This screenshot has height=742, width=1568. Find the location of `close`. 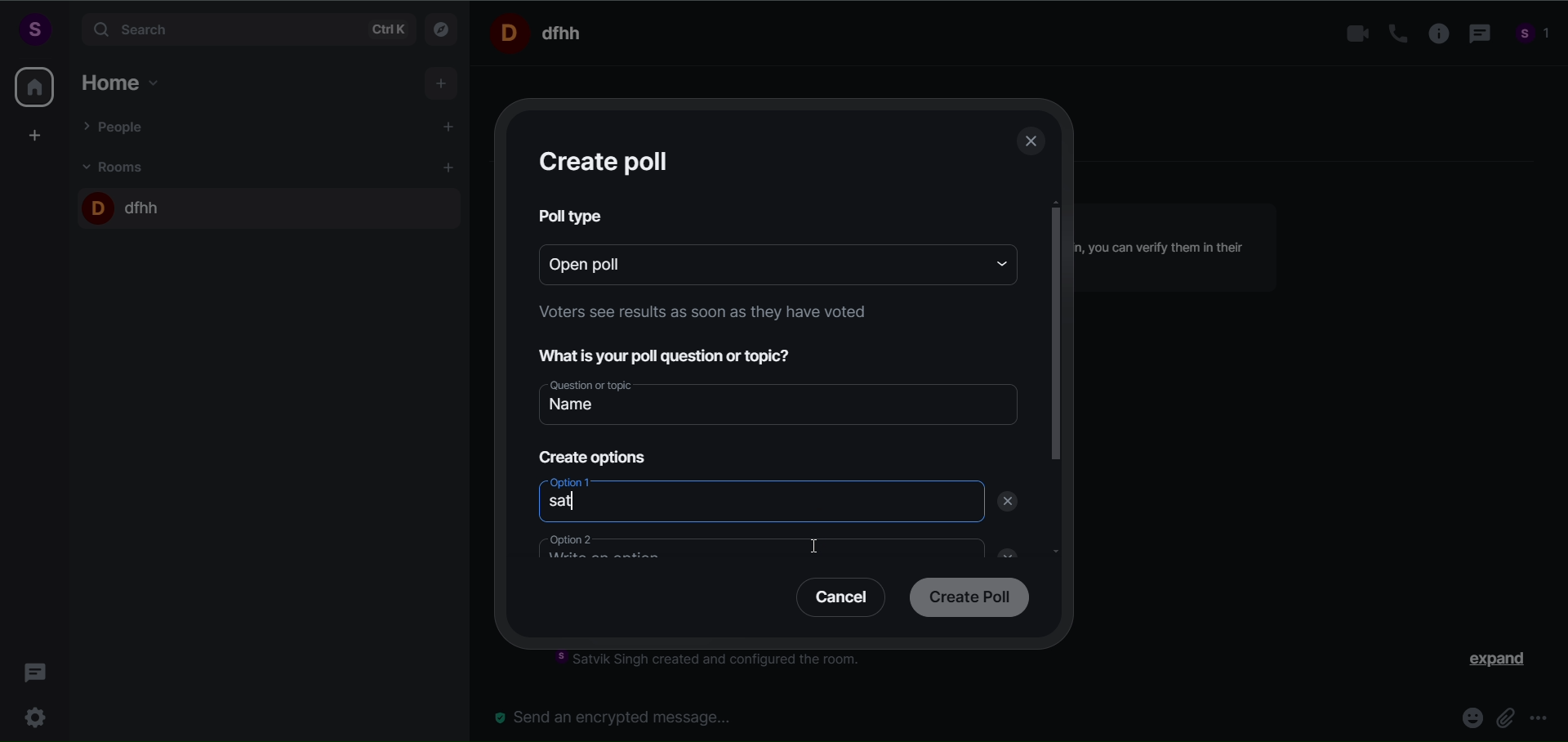

close is located at coordinates (1002, 551).